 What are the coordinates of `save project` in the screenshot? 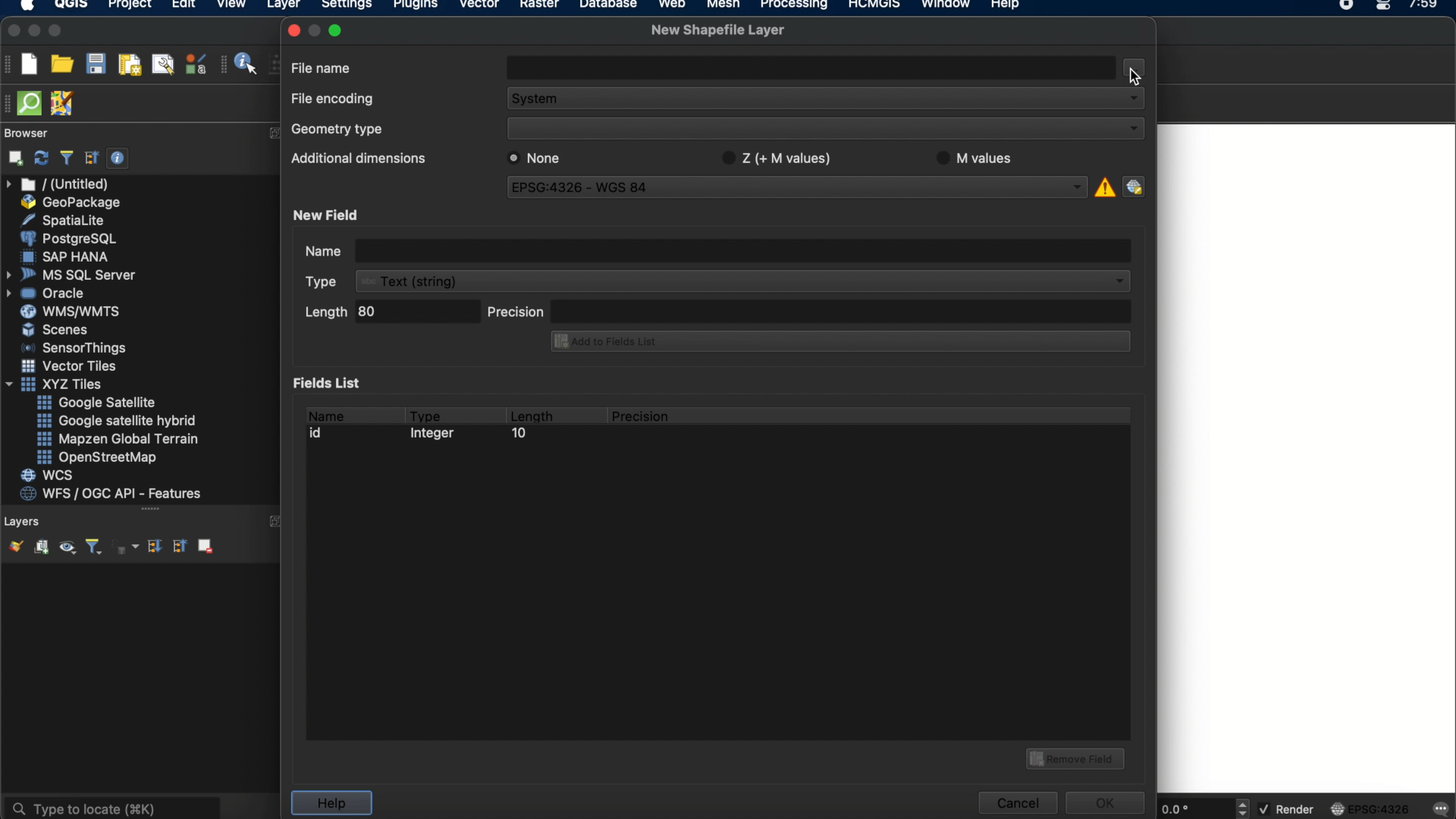 It's located at (95, 64).